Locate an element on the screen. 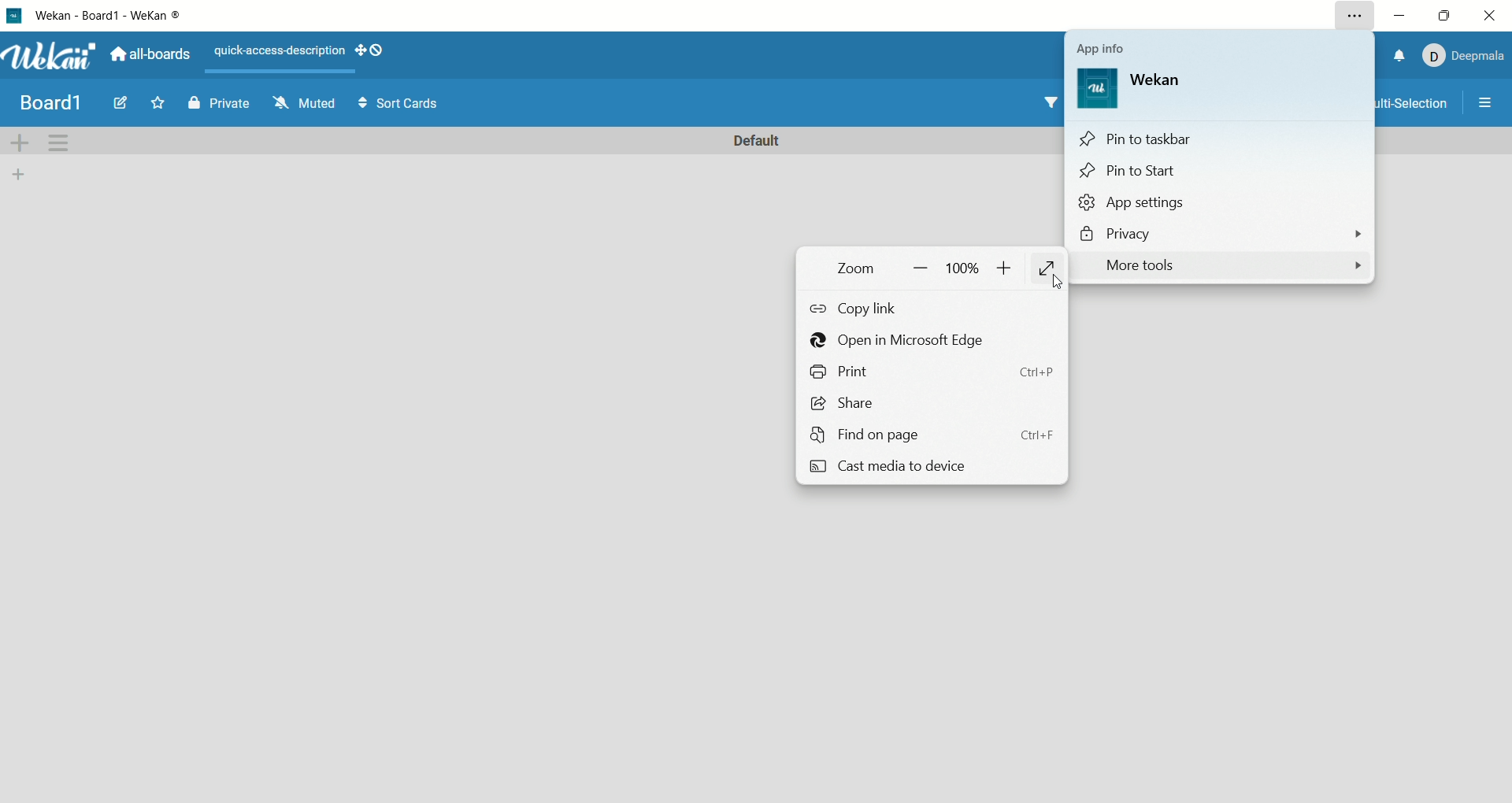  open in microsoft edge is located at coordinates (899, 343).